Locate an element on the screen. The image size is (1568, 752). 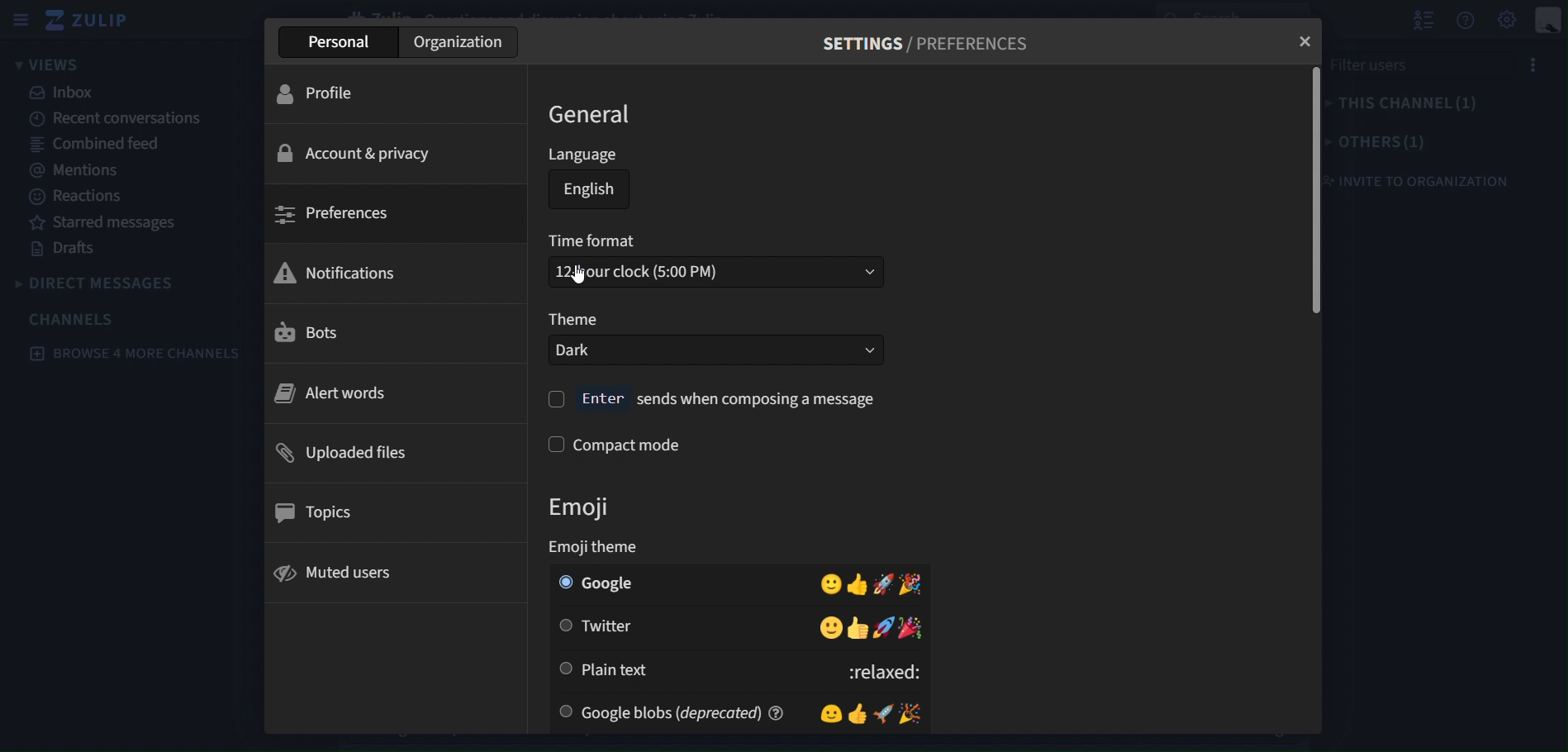
12 hour clock (5:00 PM) is located at coordinates (715, 274).